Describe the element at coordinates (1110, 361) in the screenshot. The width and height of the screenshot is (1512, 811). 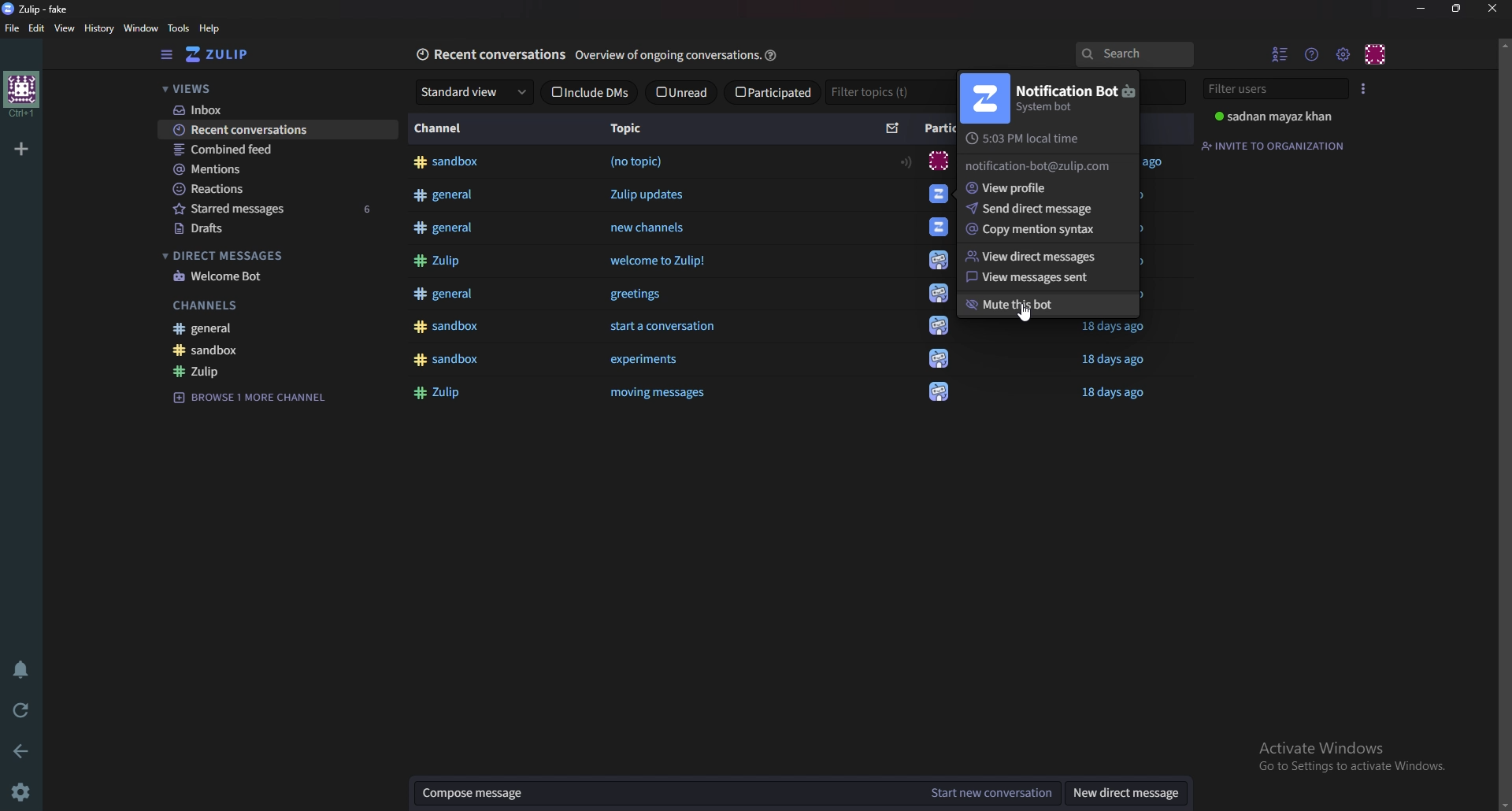
I see `18 days ago` at that location.